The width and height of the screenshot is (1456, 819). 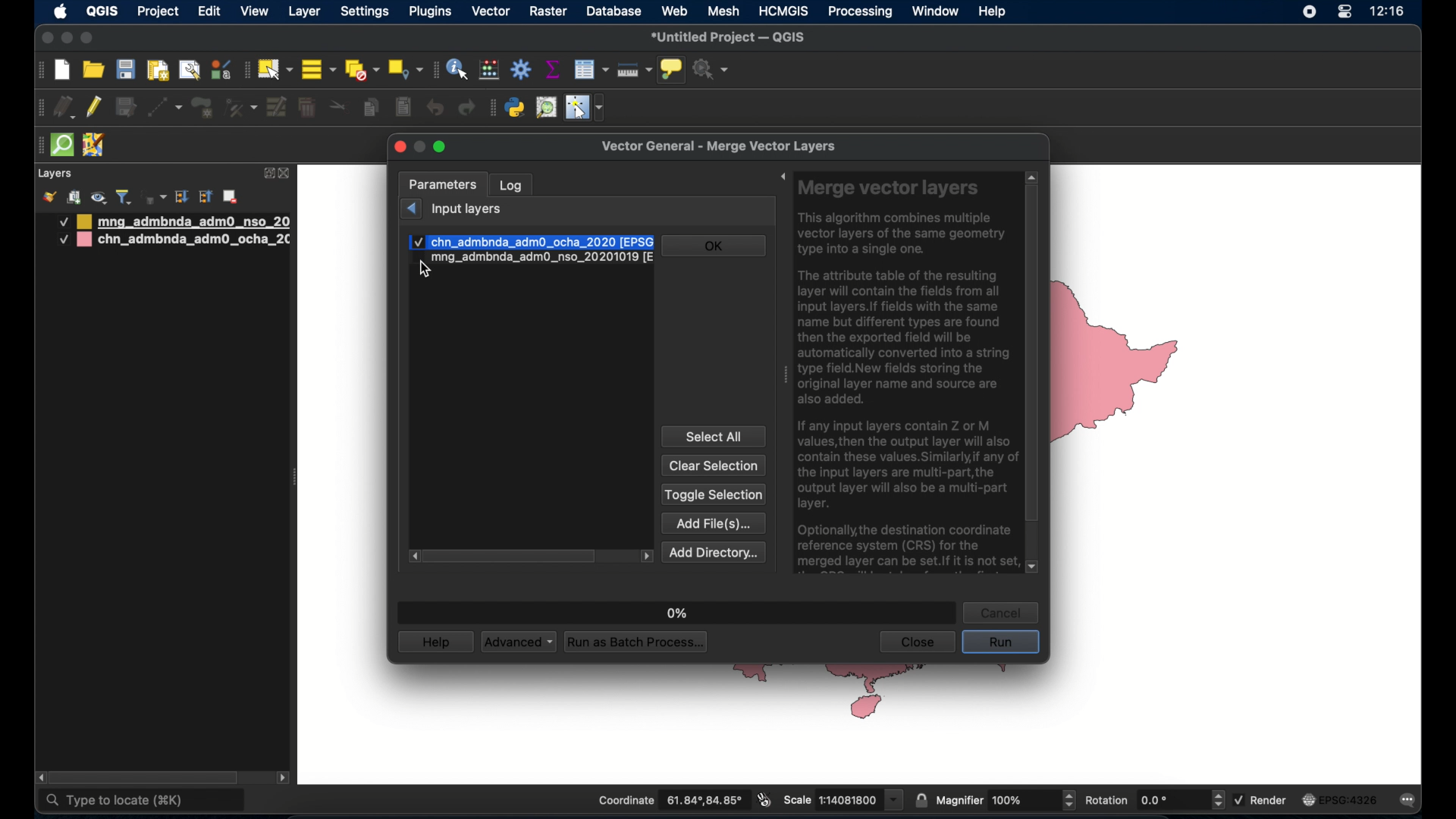 What do you see at coordinates (66, 39) in the screenshot?
I see `minimize` at bounding box center [66, 39].